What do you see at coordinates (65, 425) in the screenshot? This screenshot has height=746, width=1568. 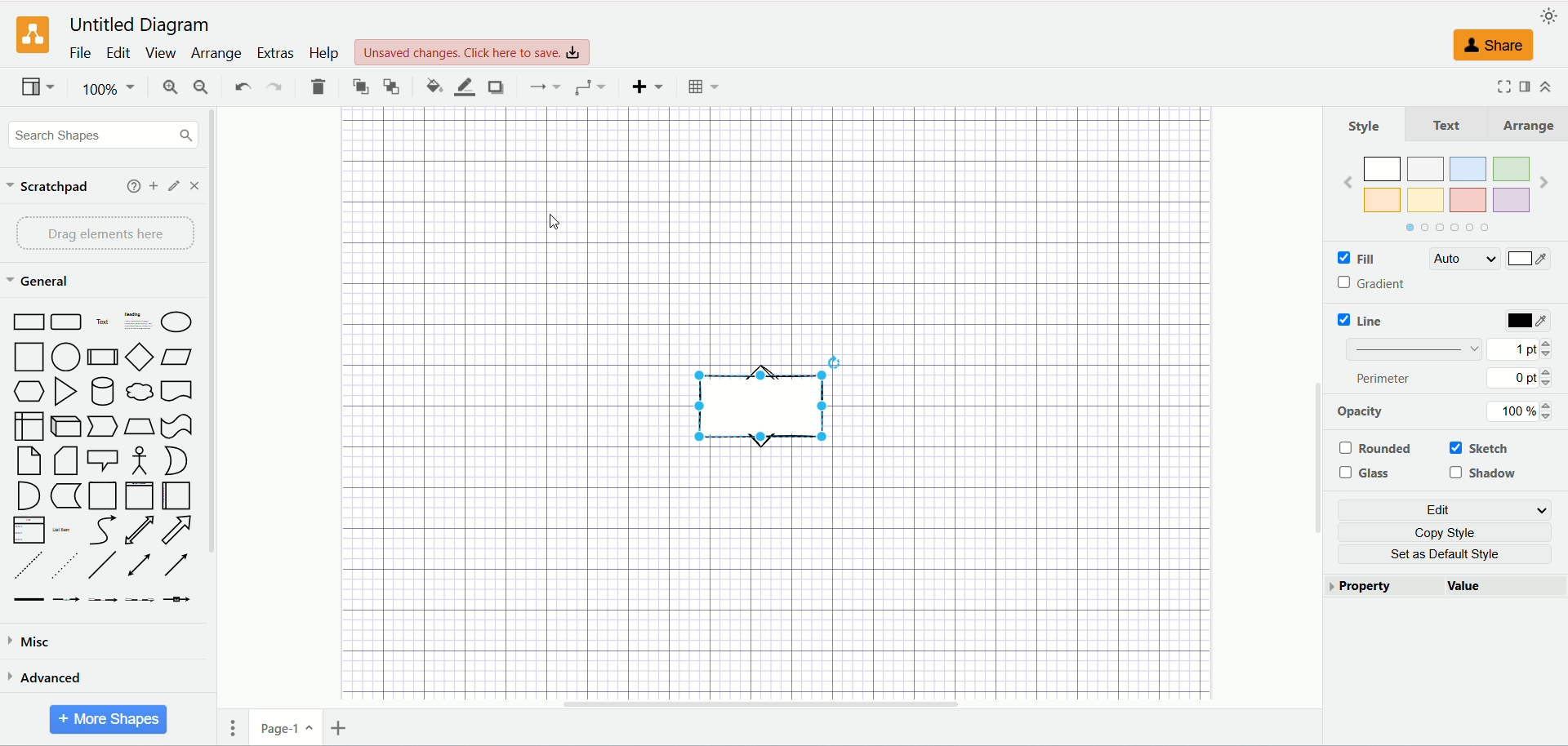 I see `cube` at bounding box center [65, 425].